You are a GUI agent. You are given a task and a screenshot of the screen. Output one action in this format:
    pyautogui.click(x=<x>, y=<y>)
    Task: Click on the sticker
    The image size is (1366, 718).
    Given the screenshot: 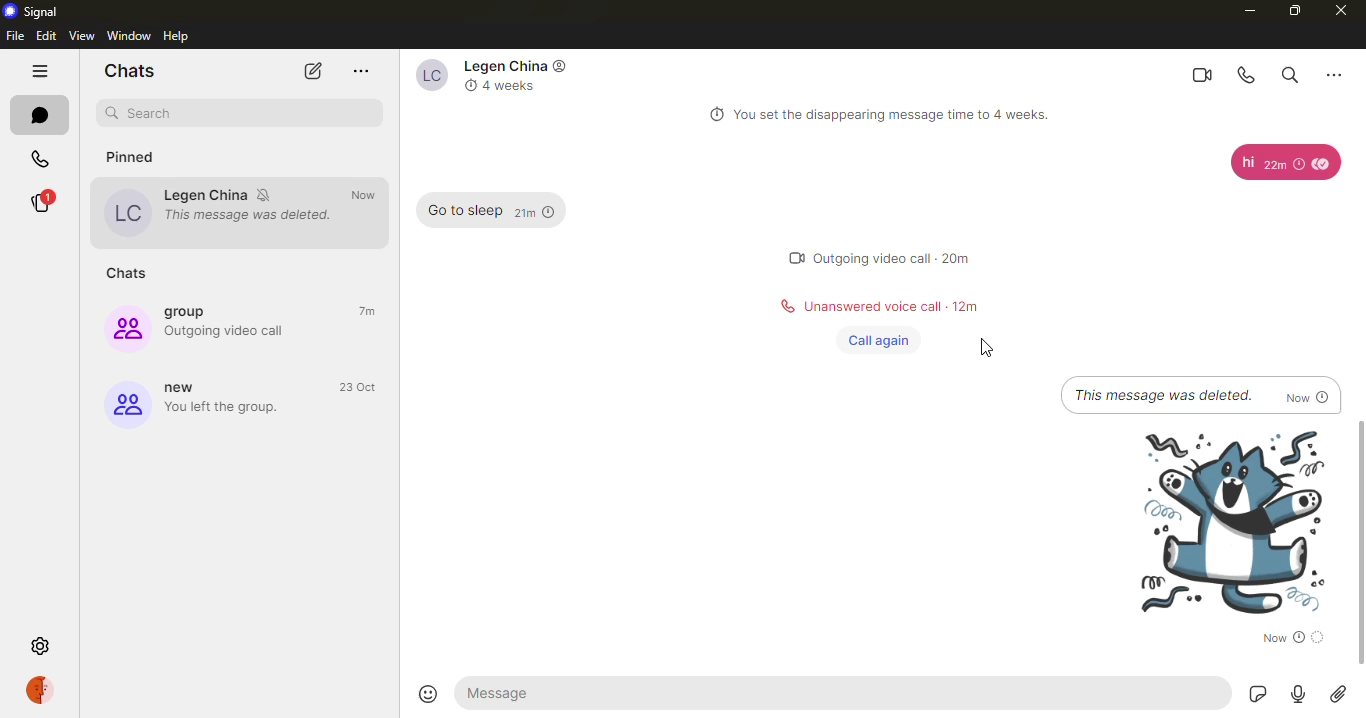 What is the action you would take?
    pyautogui.click(x=1254, y=693)
    